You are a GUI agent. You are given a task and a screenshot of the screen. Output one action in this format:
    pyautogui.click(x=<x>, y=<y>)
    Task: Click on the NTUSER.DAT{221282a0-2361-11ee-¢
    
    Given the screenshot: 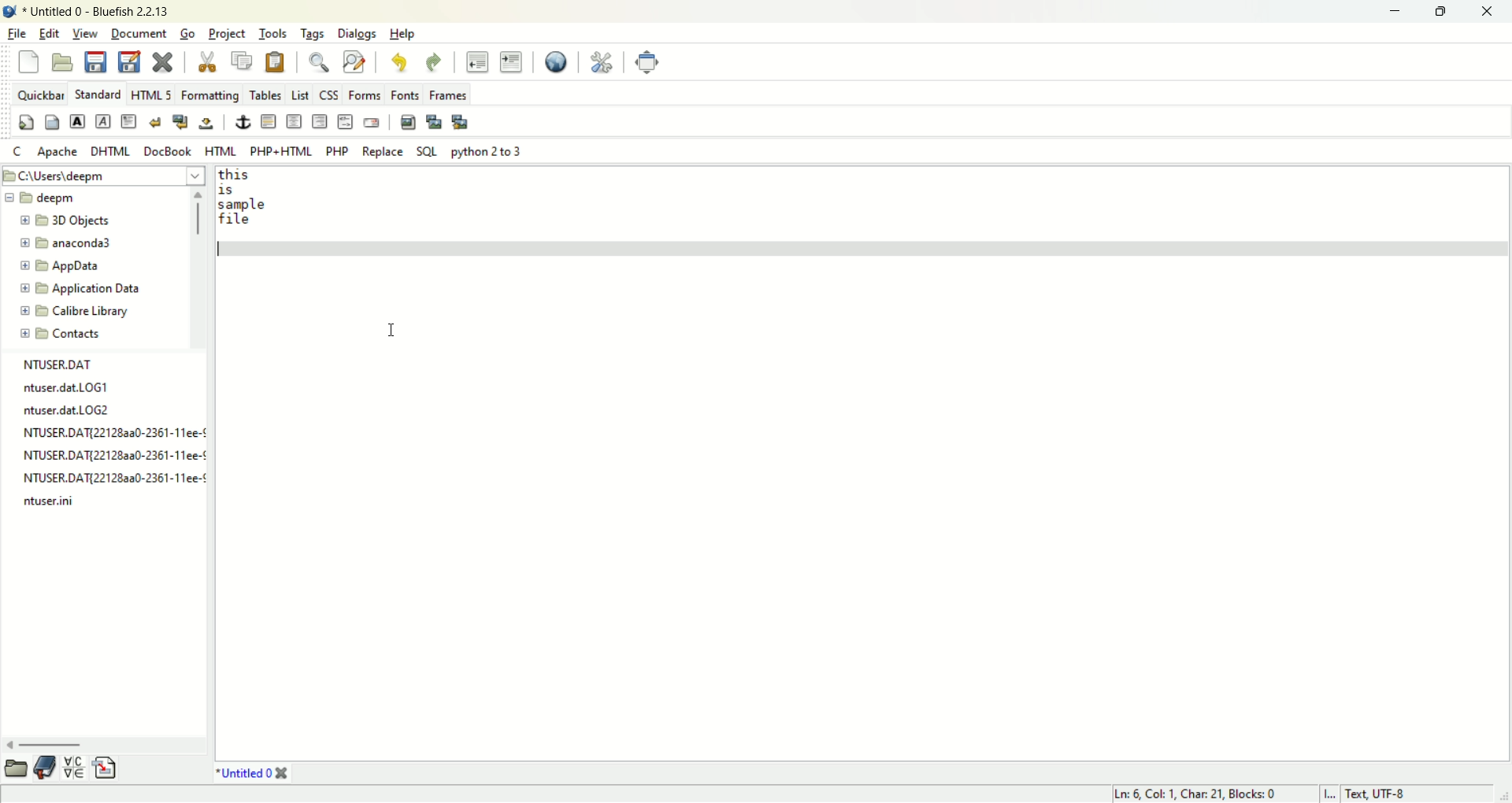 What is the action you would take?
    pyautogui.click(x=111, y=479)
    